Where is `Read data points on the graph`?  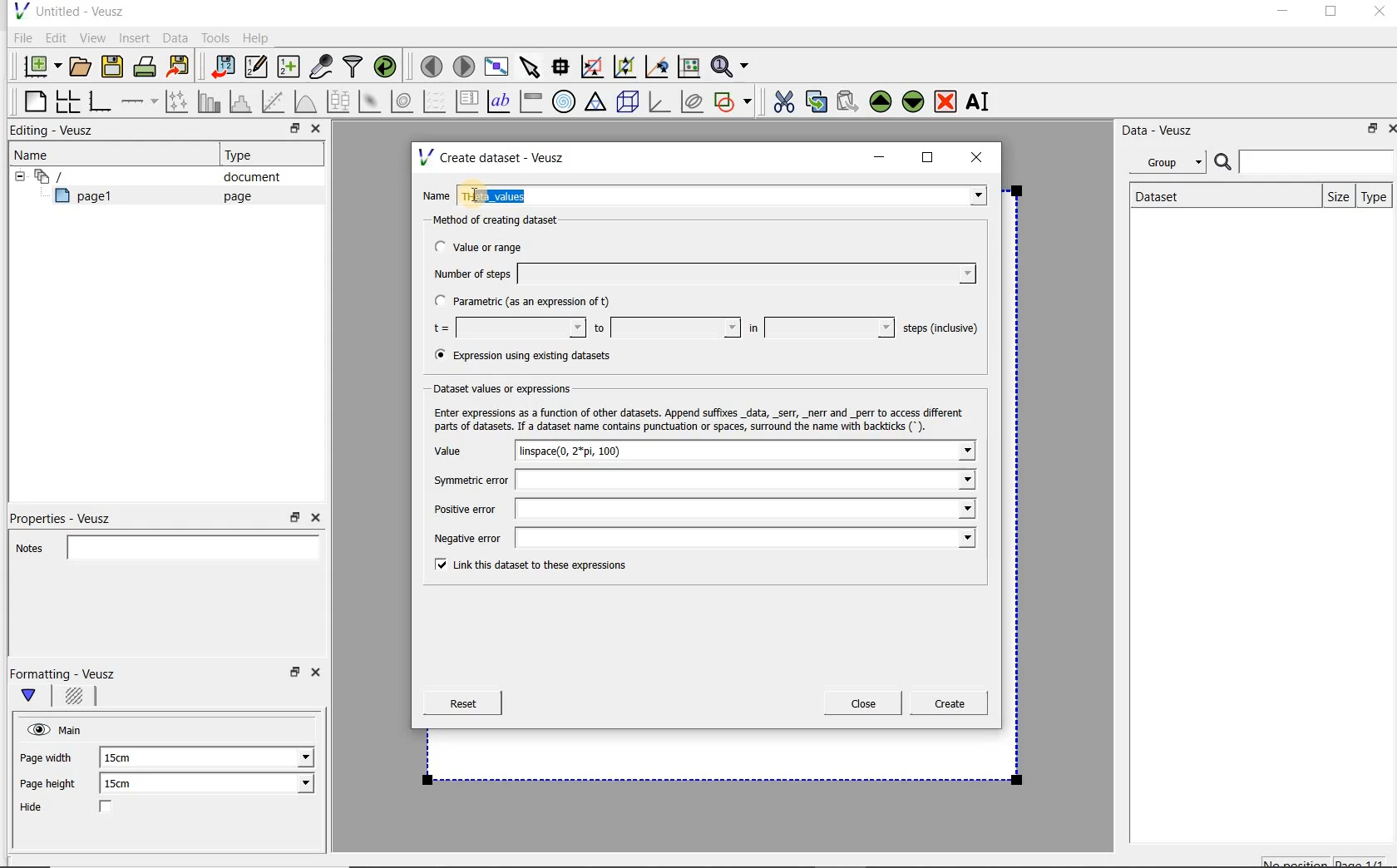 Read data points on the graph is located at coordinates (563, 67).